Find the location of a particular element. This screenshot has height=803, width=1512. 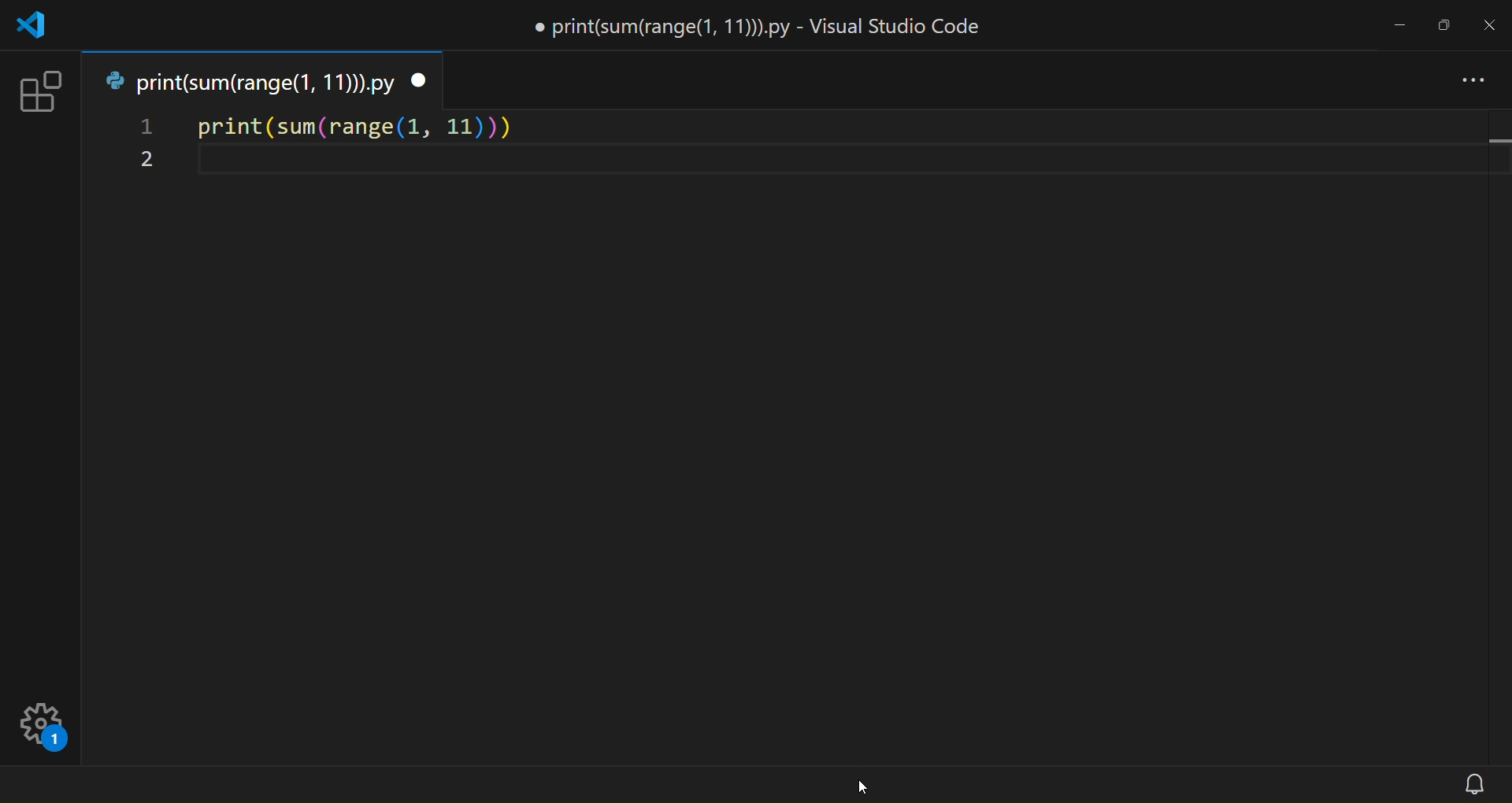

extension is located at coordinates (38, 91).